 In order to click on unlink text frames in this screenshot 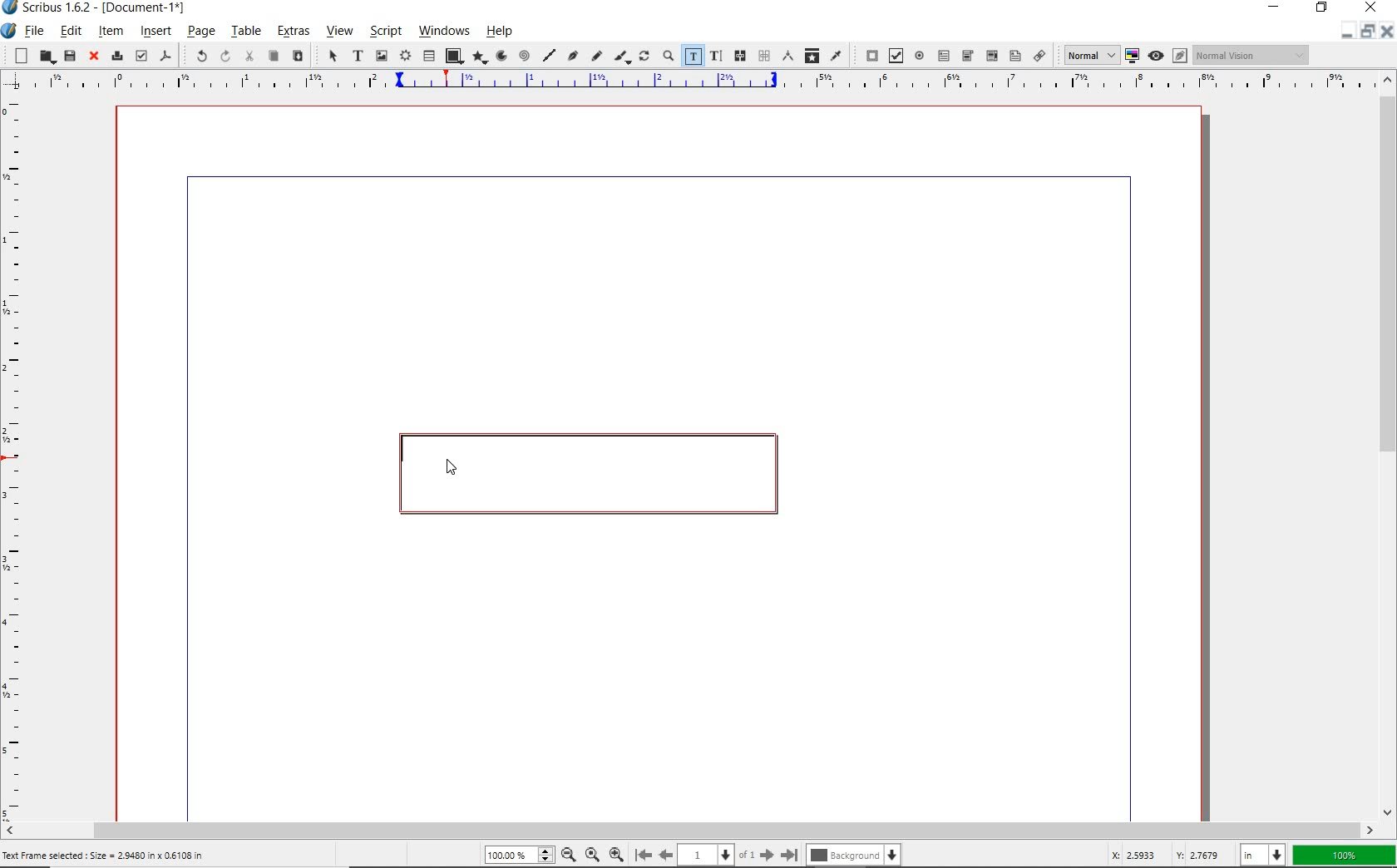, I will do `click(763, 57)`.